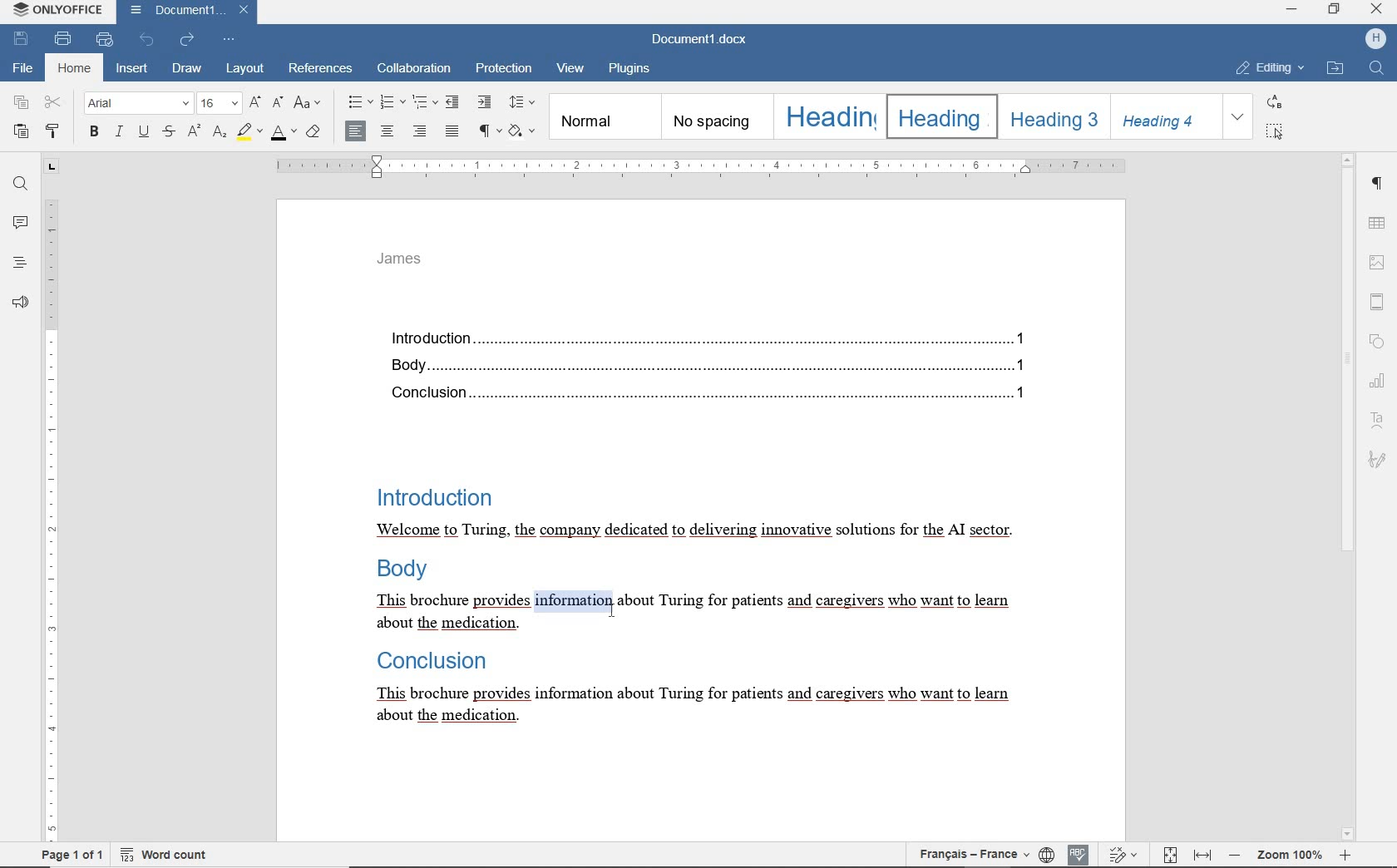 Image resolution: width=1397 pixels, height=868 pixels. What do you see at coordinates (491, 132) in the screenshot?
I see `NONOPRINTING CHARACTERS` at bounding box center [491, 132].